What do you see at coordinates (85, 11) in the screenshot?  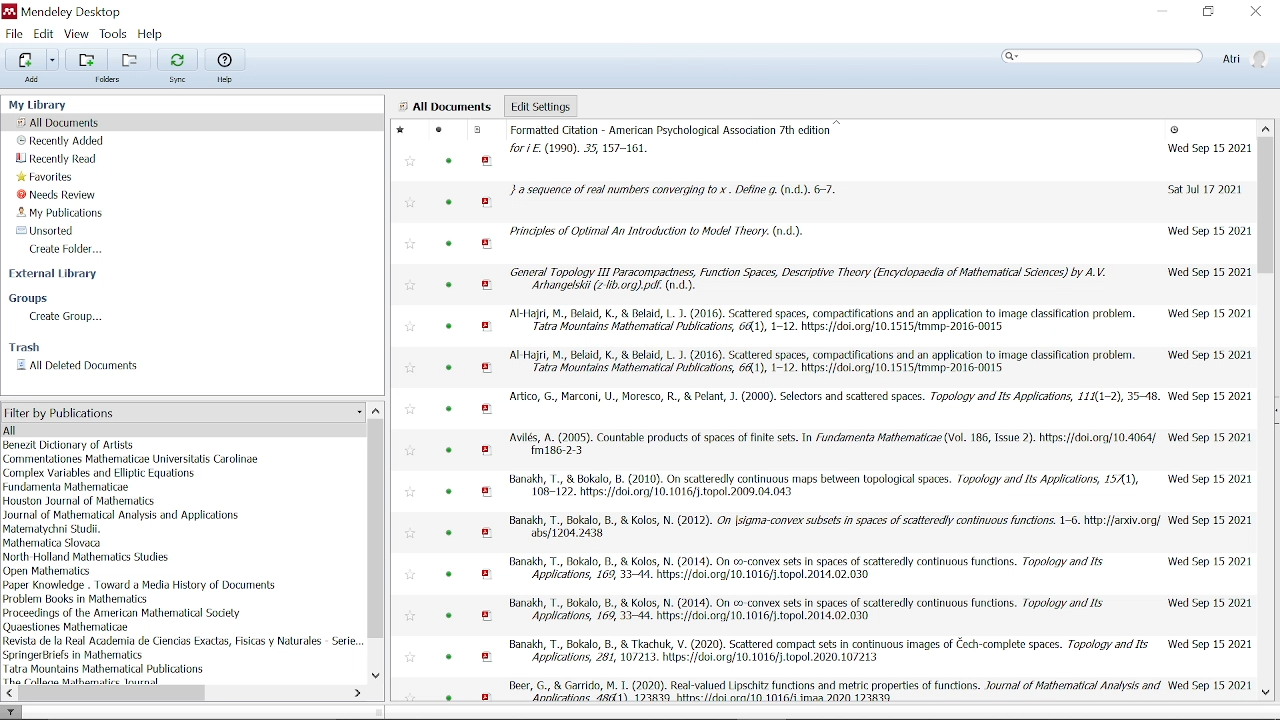 I see `Mendeley` at bounding box center [85, 11].